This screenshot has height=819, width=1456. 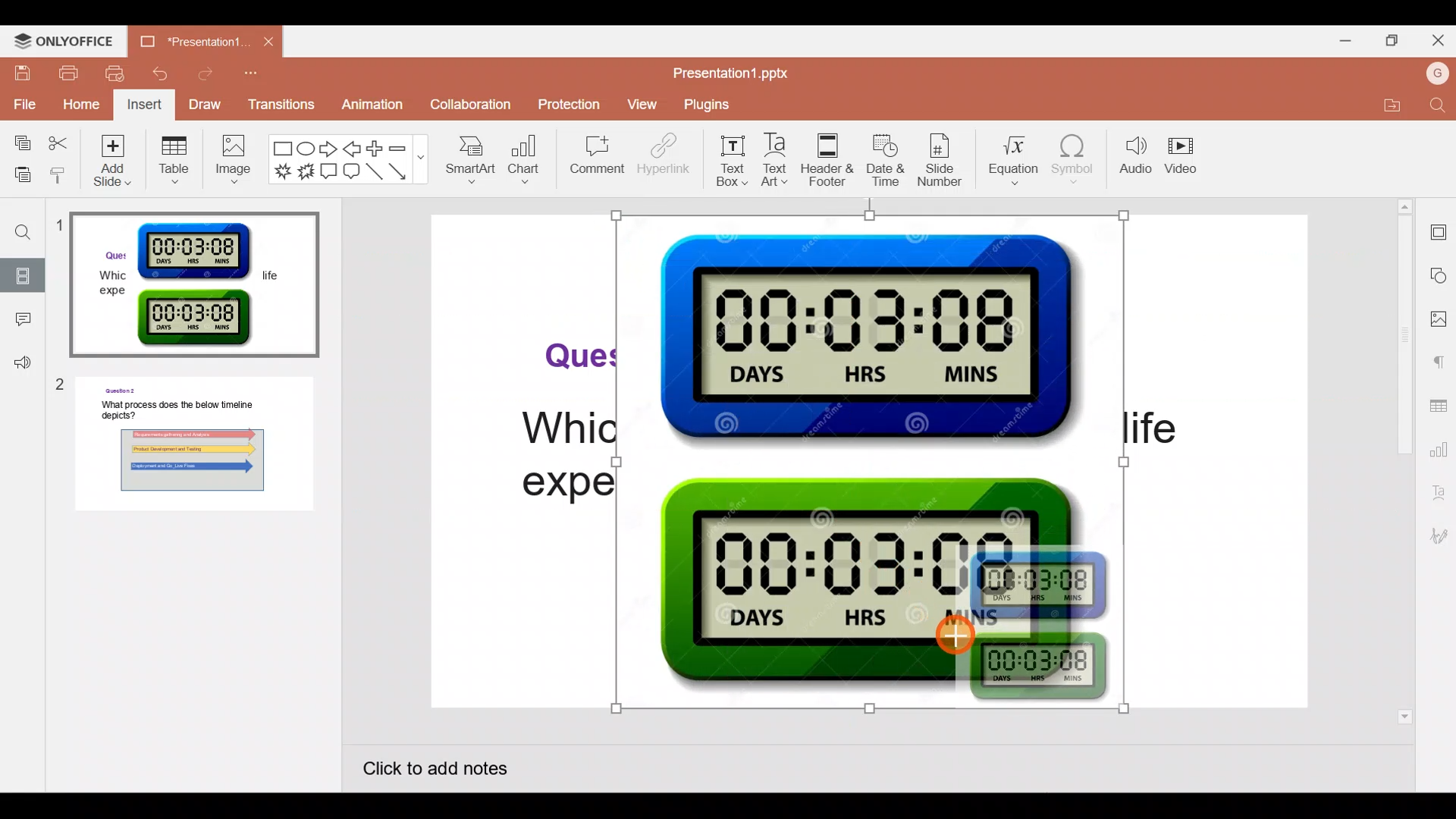 I want to click on Click to add notes, so click(x=450, y=772).